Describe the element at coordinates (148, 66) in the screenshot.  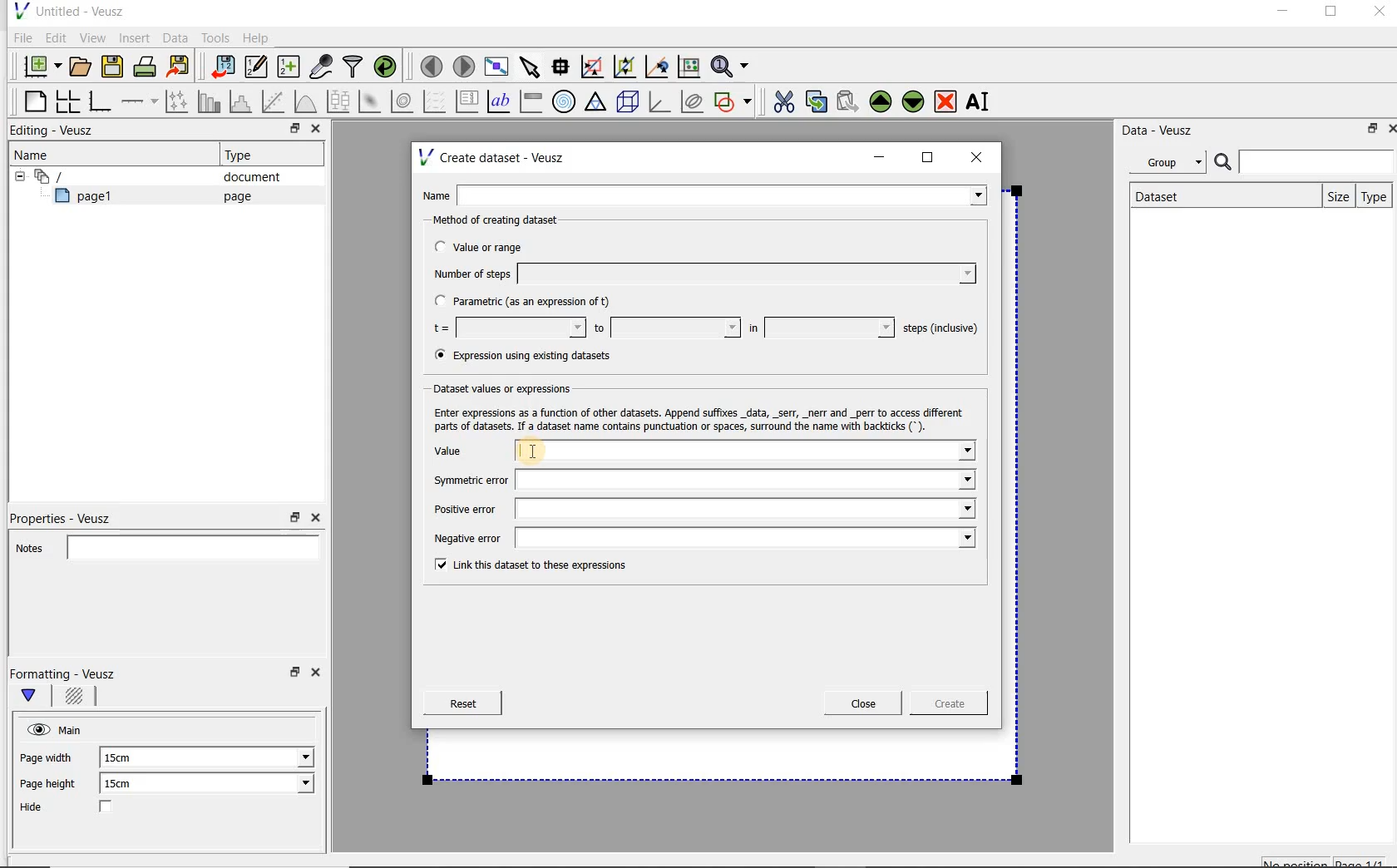
I see `print the document` at that location.